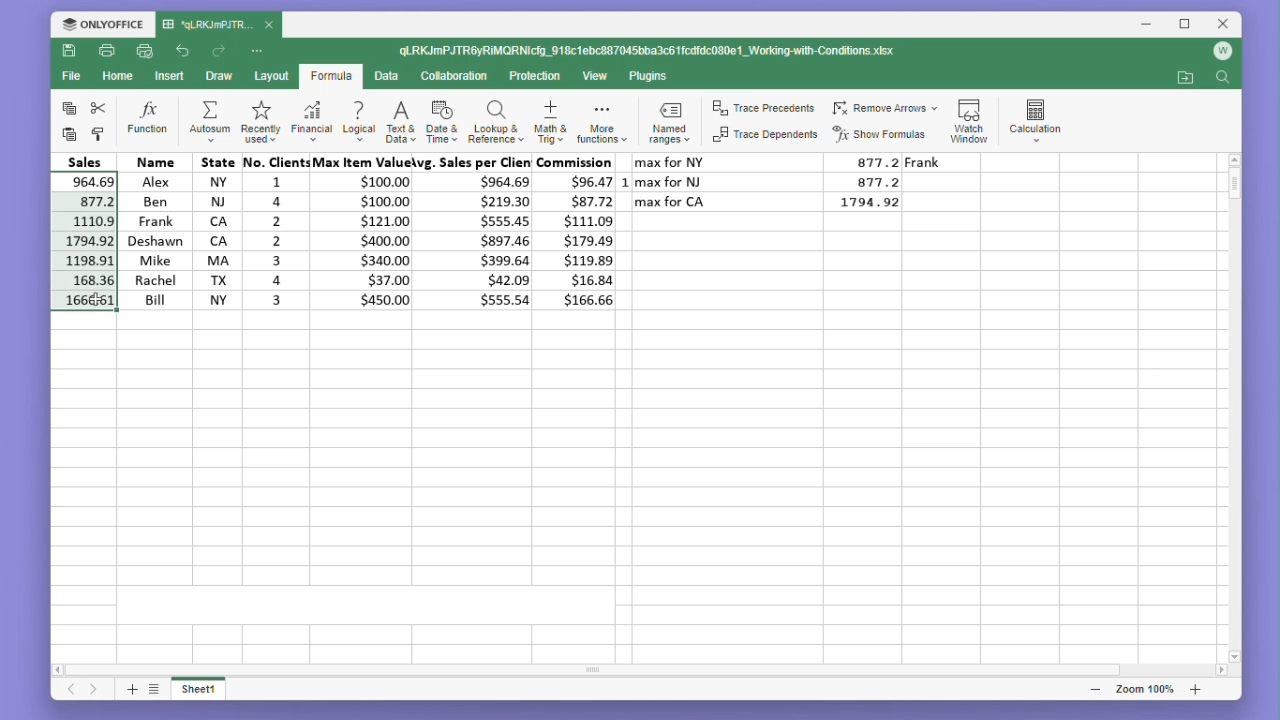 The image size is (1280, 720). What do you see at coordinates (82, 241) in the screenshot?
I see `Selected cells` at bounding box center [82, 241].